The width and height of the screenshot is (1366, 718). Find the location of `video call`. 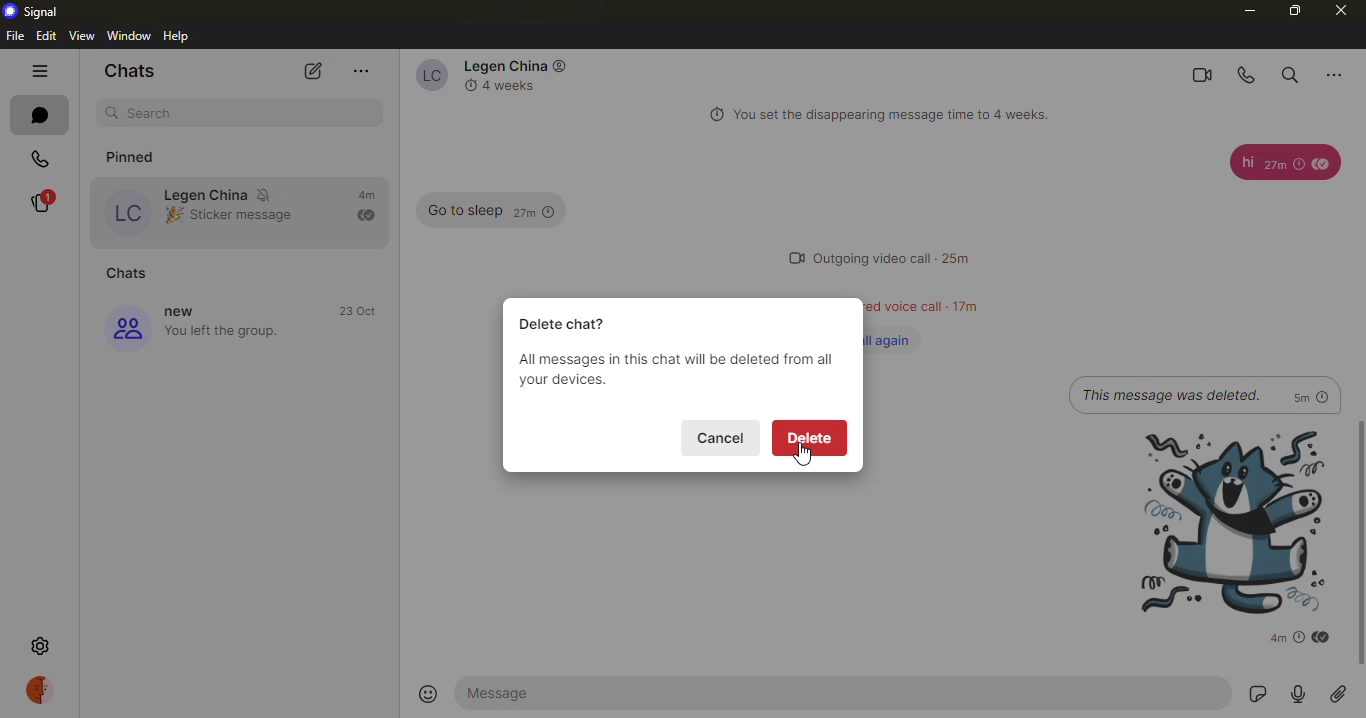

video call is located at coordinates (1196, 72).